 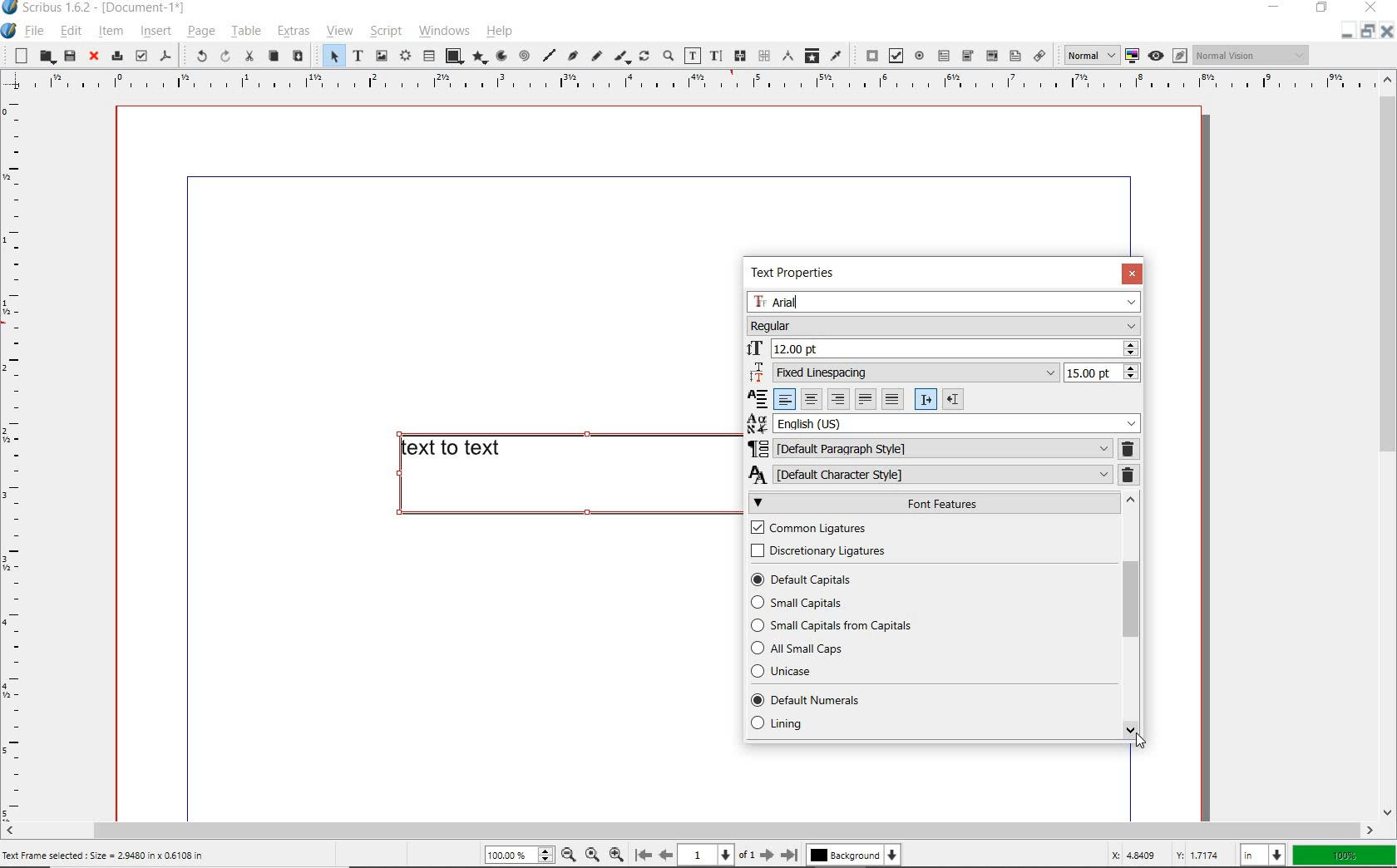 What do you see at coordinates (855, 856) in the screenshot?
I see `Background` at bounding box center [855, 856].